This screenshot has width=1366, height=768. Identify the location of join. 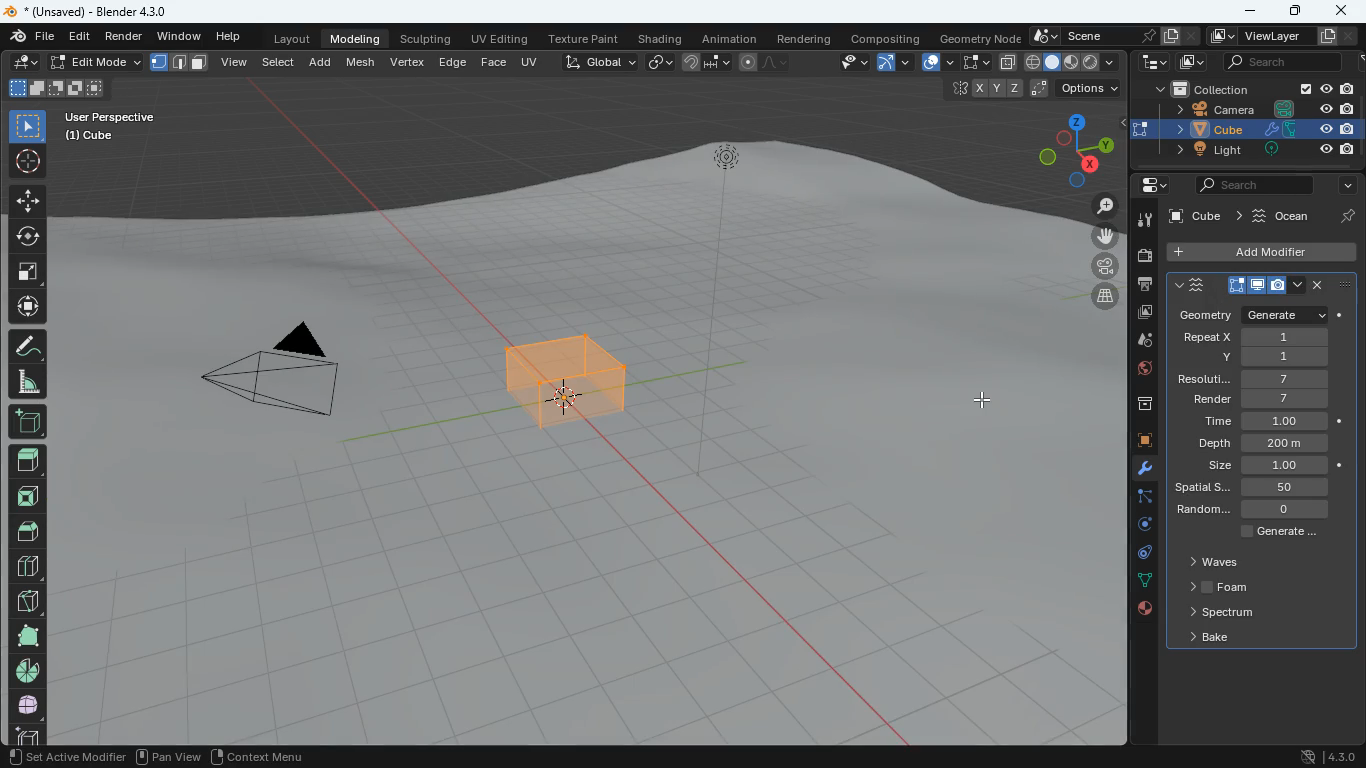
(708, 65).